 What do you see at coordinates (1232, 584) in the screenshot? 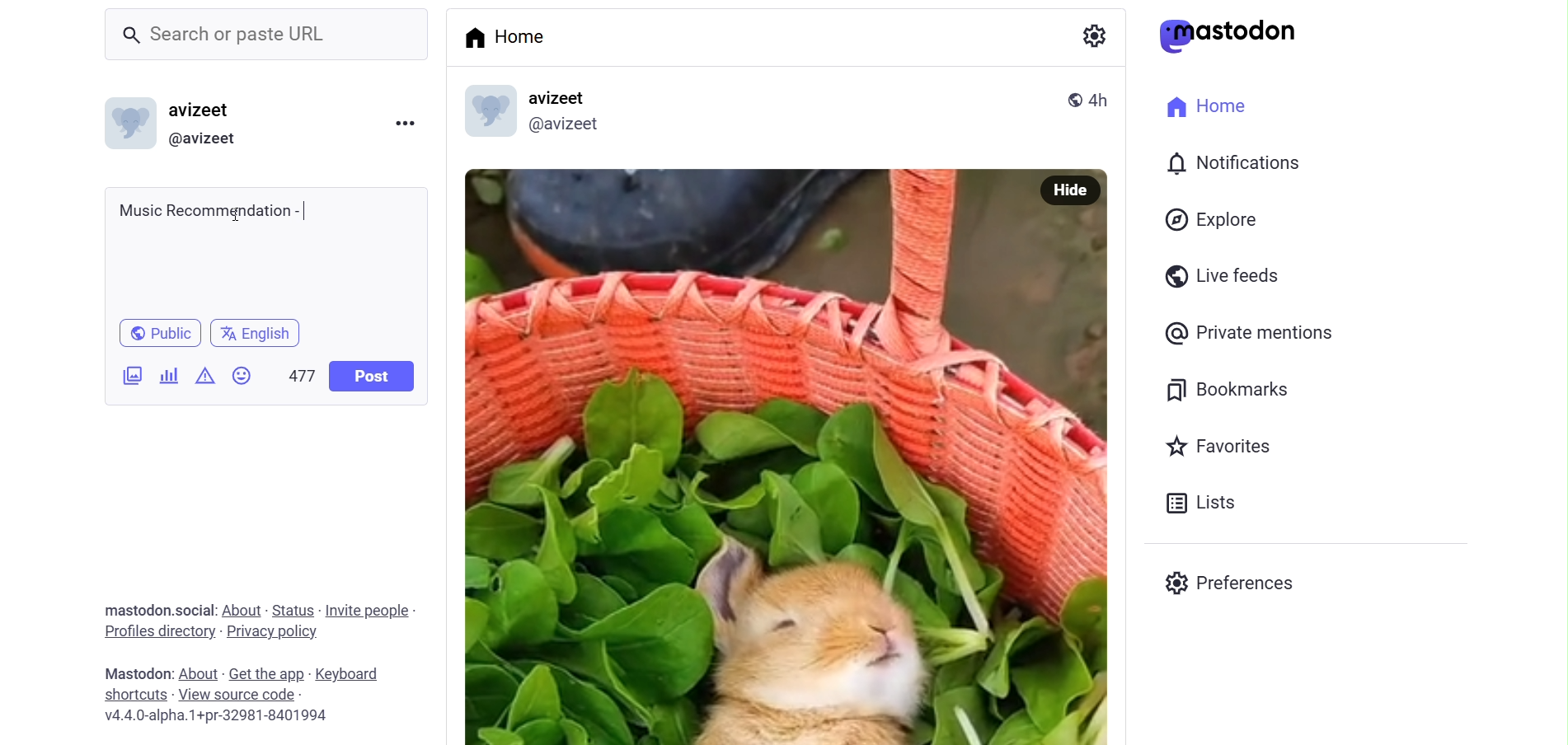
I see `Preferenes` at bounding box center [1232, 584].